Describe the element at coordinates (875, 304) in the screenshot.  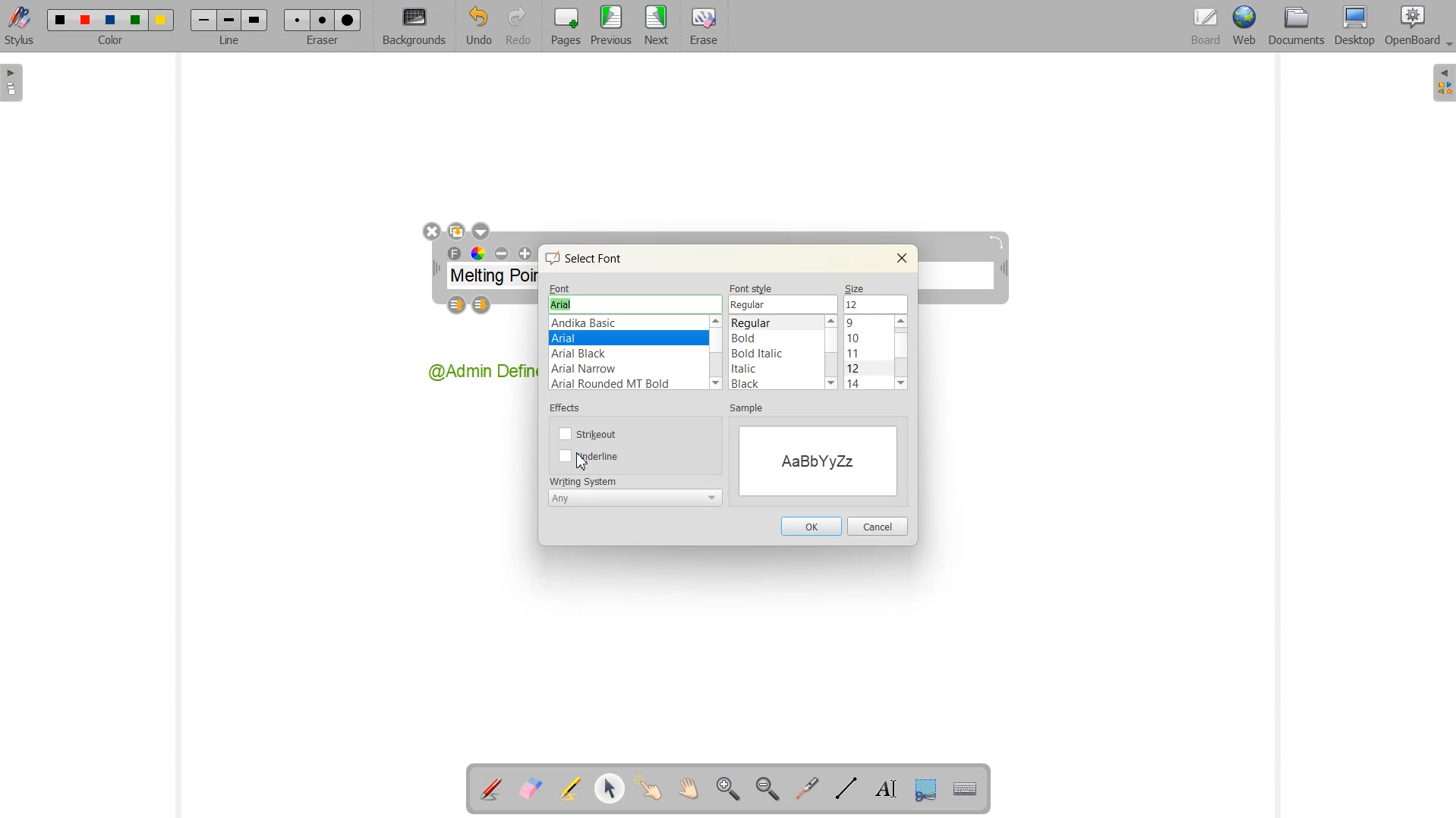
I see `Font Size` at that location.